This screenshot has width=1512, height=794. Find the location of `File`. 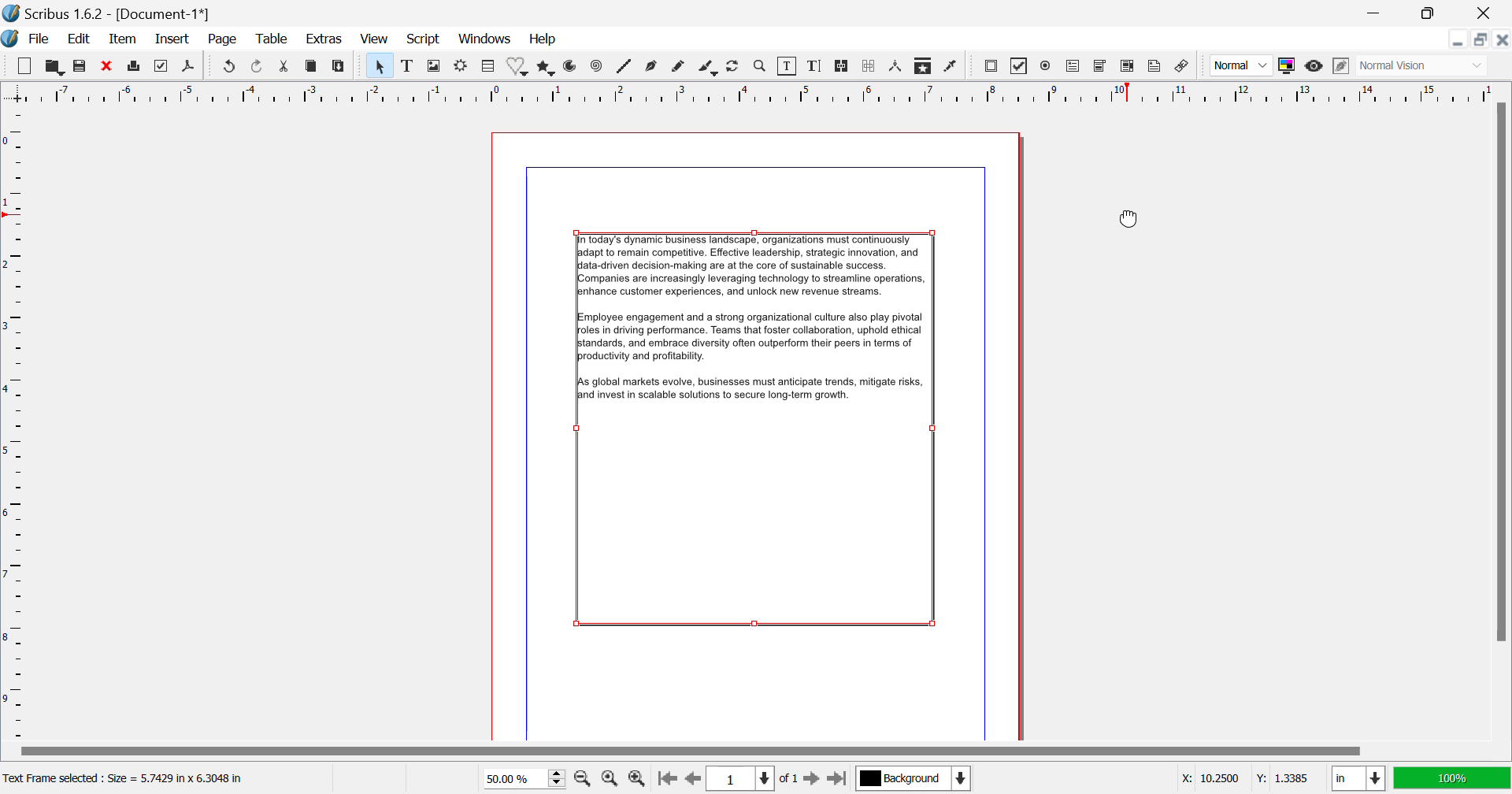

File is located at coordinates (38, 39).